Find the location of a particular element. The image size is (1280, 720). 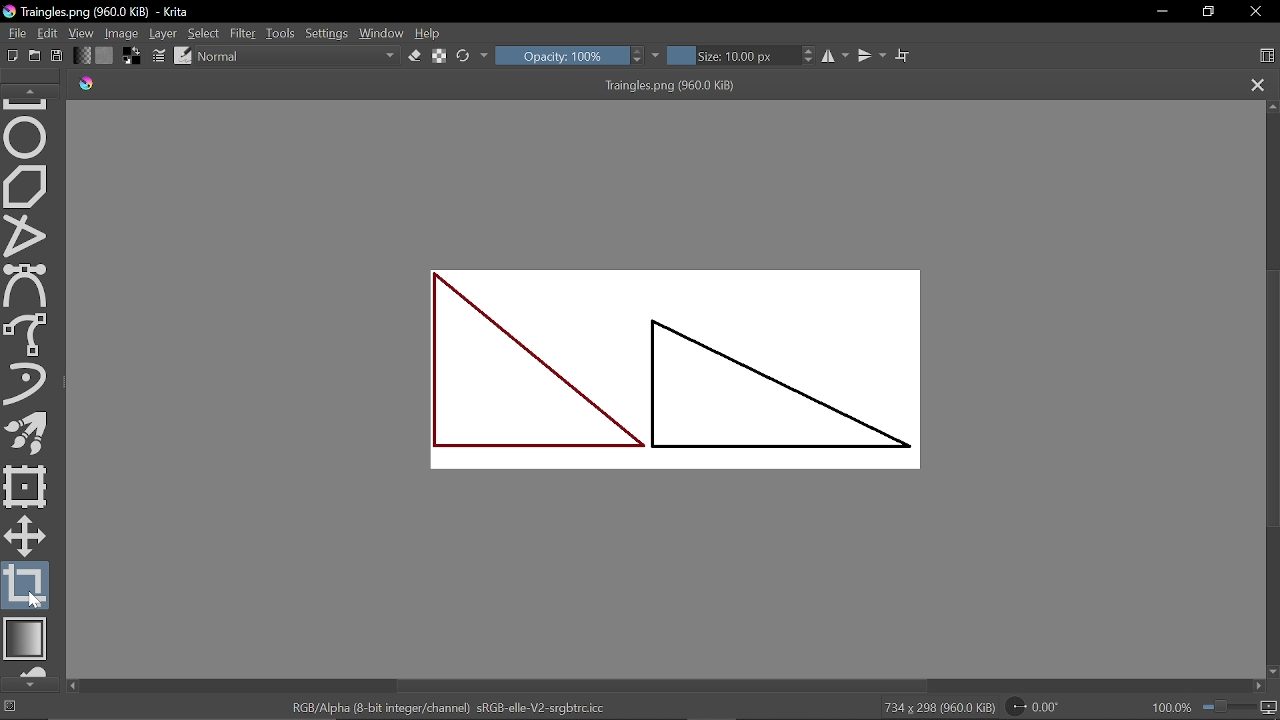

Cursor is located at coordinates (33, 600).